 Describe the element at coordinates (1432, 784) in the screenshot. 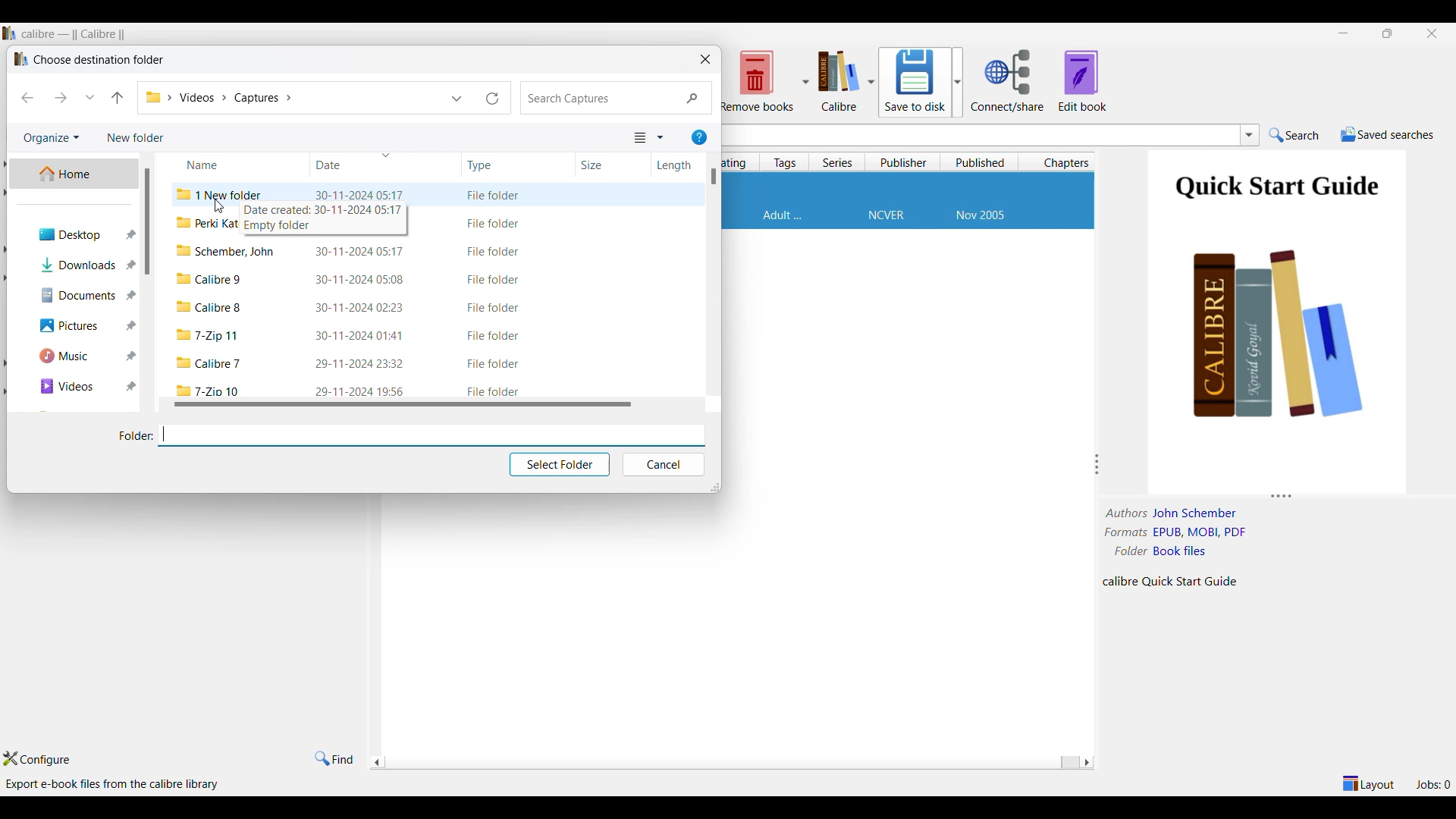

I see `Current jobs` at that location.